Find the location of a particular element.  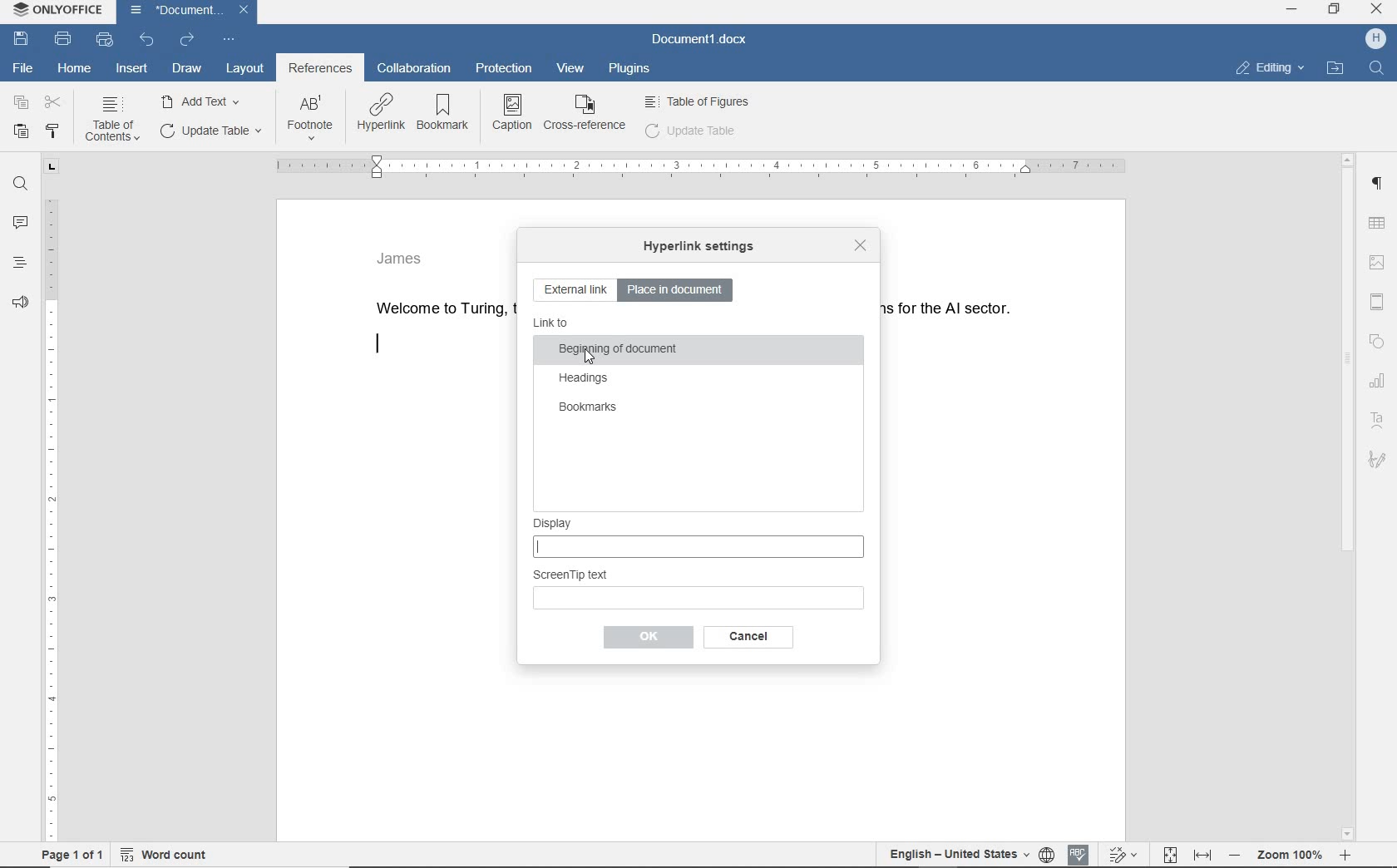

link to is located at coordinates (552, 323).